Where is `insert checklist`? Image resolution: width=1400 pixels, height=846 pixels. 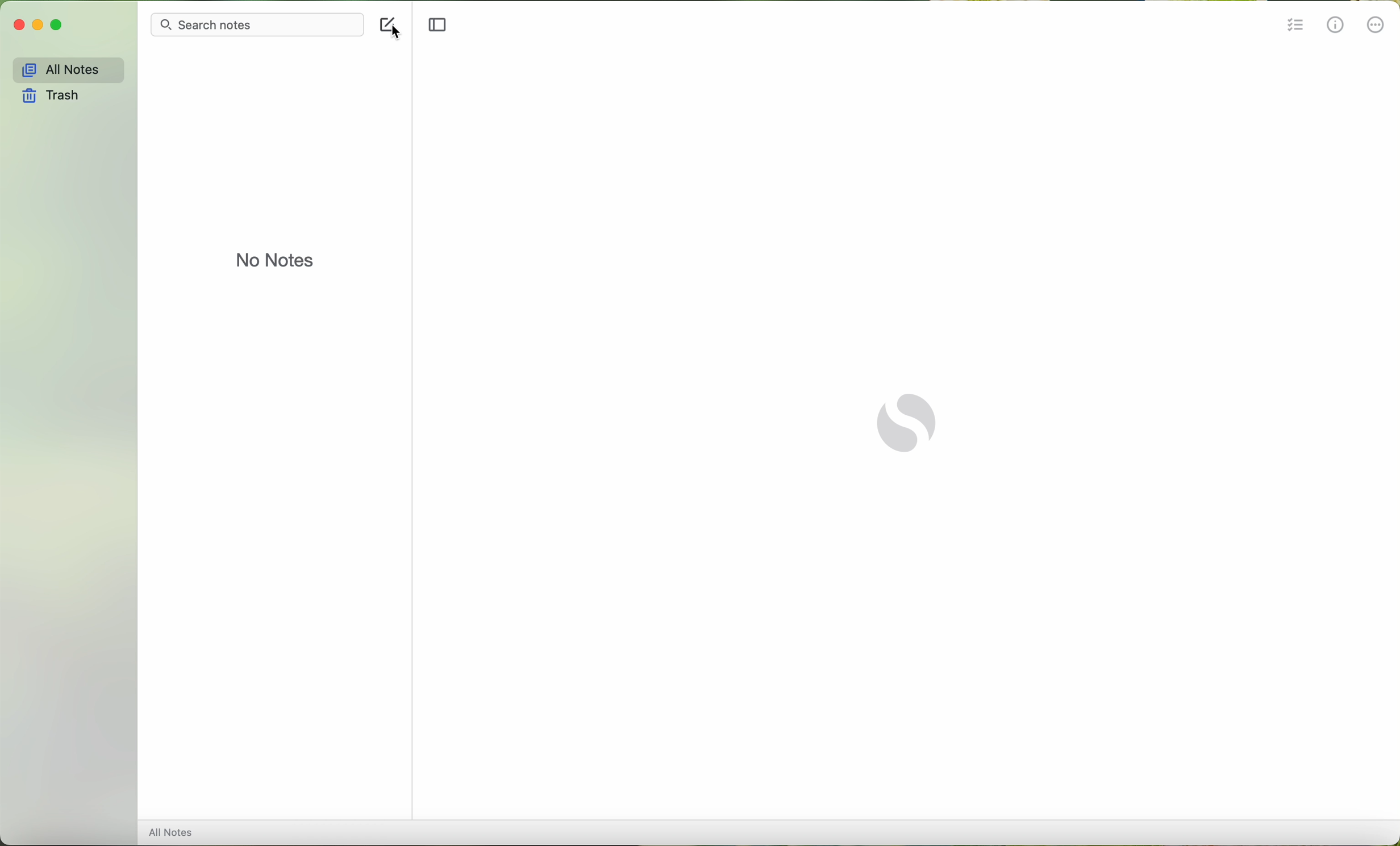 insert checklist is located at coordinates (1294, 26).